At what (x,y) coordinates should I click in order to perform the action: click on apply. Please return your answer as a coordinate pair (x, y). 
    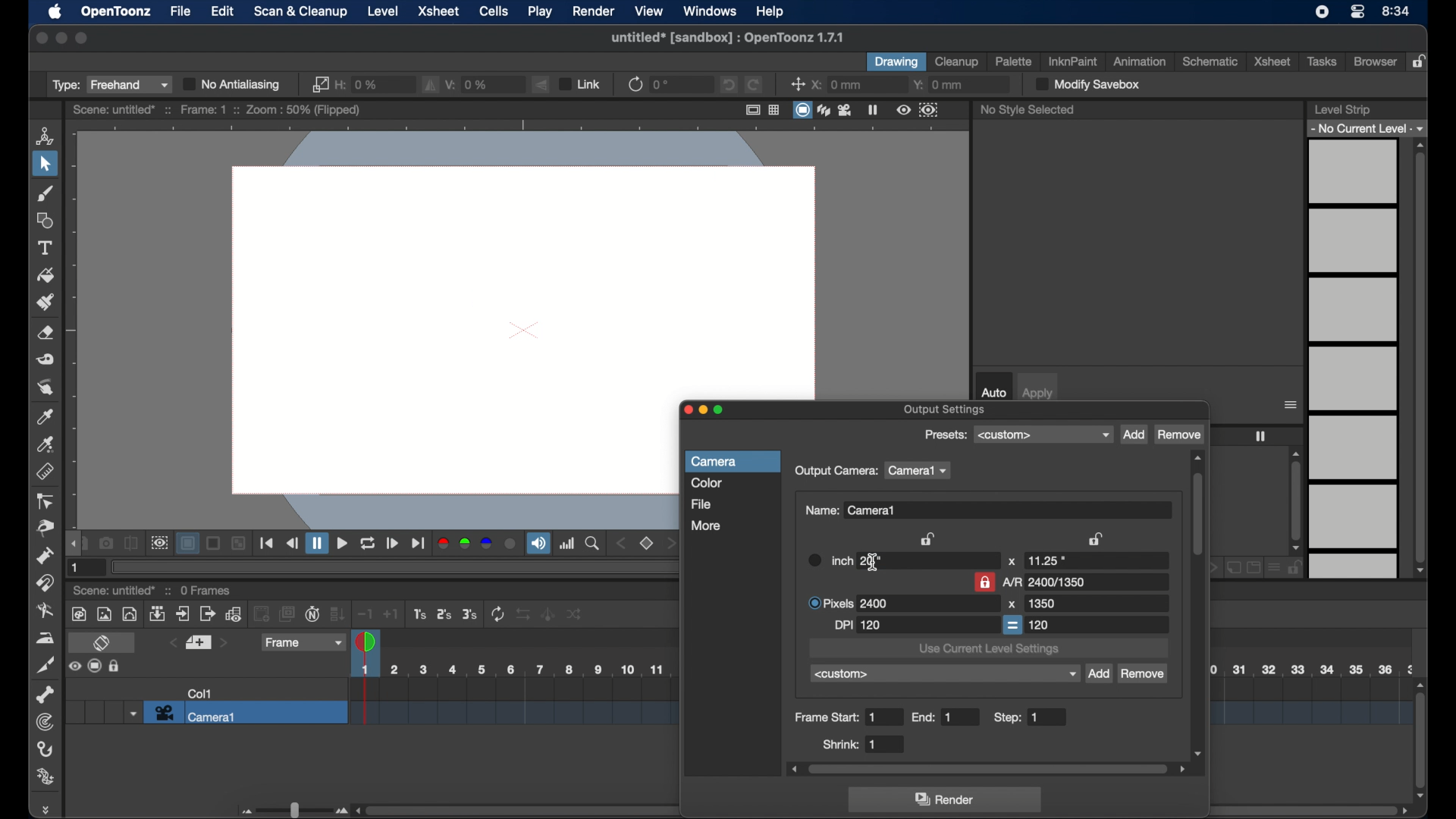
    Looking at the image, I should click on (1038, 394).